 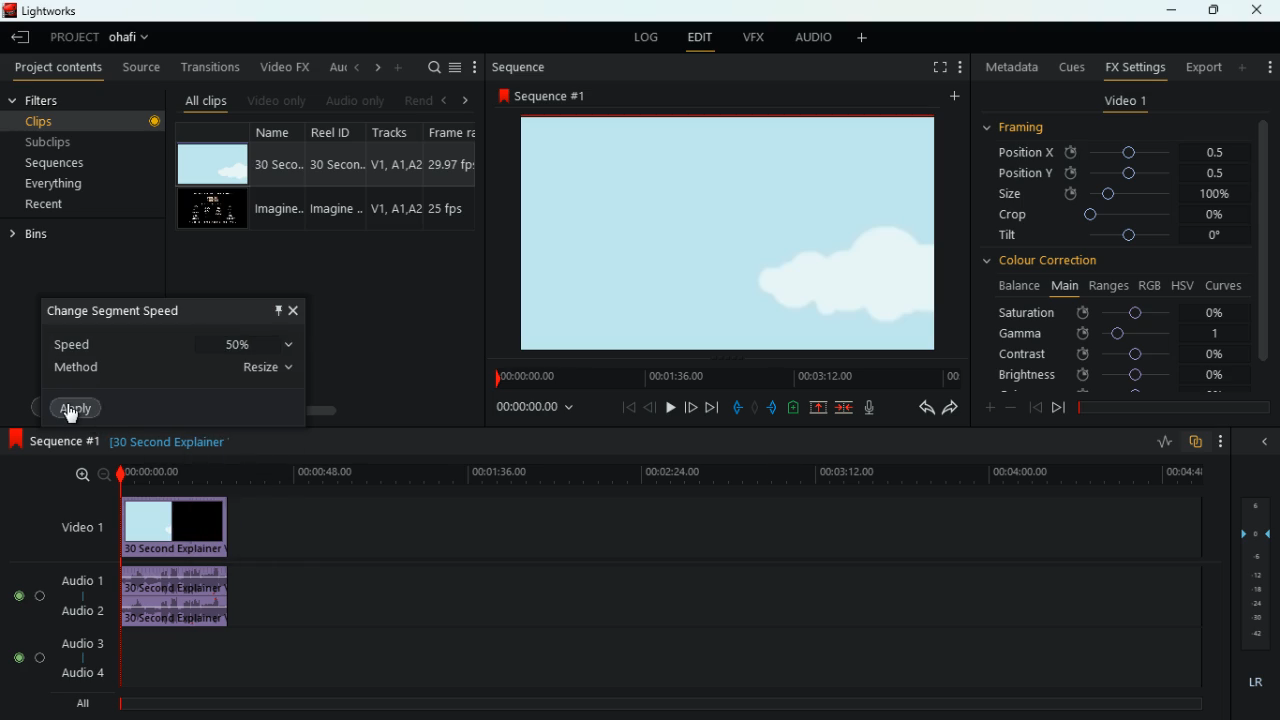 What do you see at coordinates (390, 177) in the screenshot?
I see `tracks` at bounding box center [390, 177].